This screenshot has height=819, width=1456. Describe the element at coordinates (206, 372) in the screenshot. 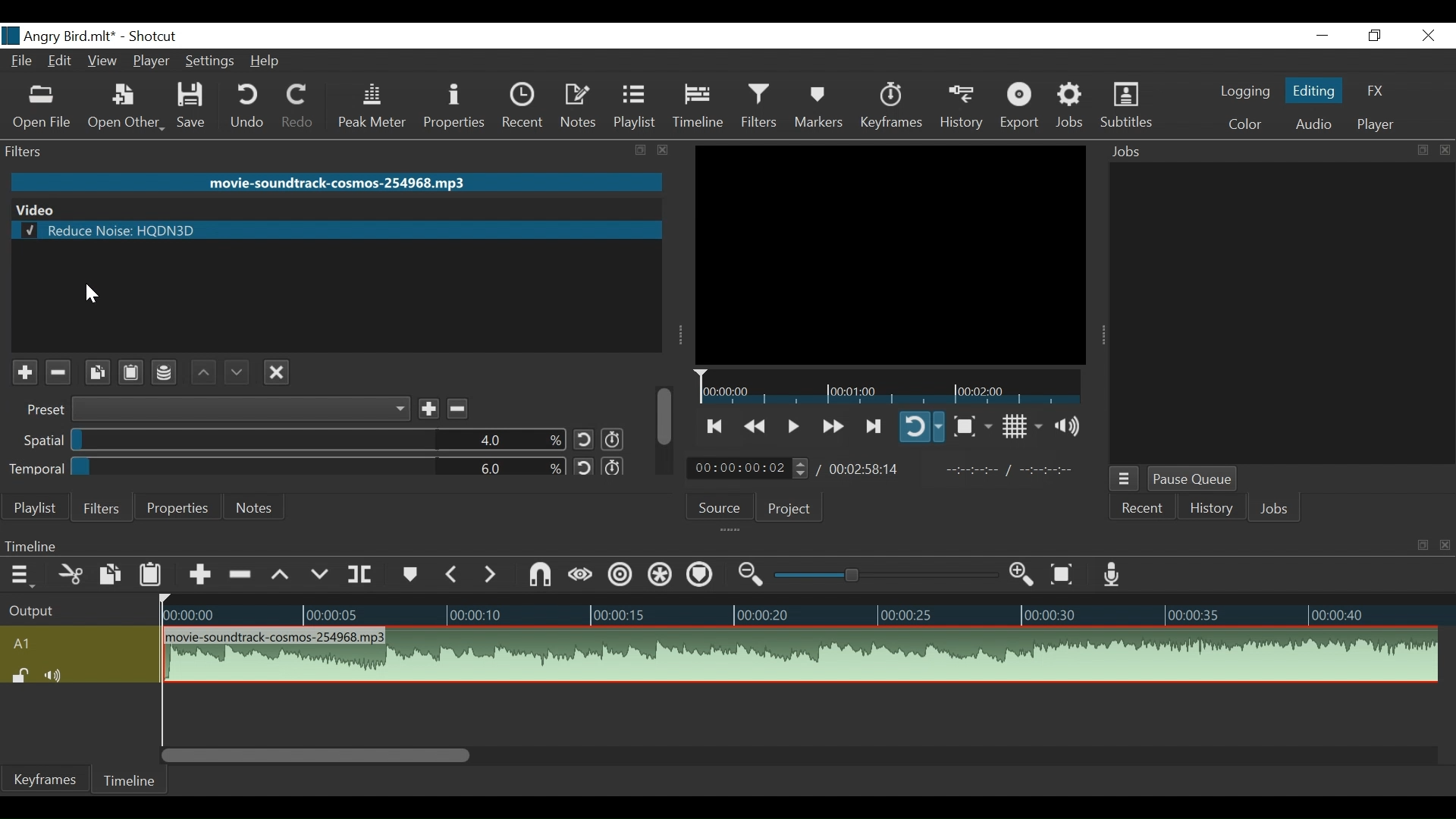

I see `Move filter up` at that location.